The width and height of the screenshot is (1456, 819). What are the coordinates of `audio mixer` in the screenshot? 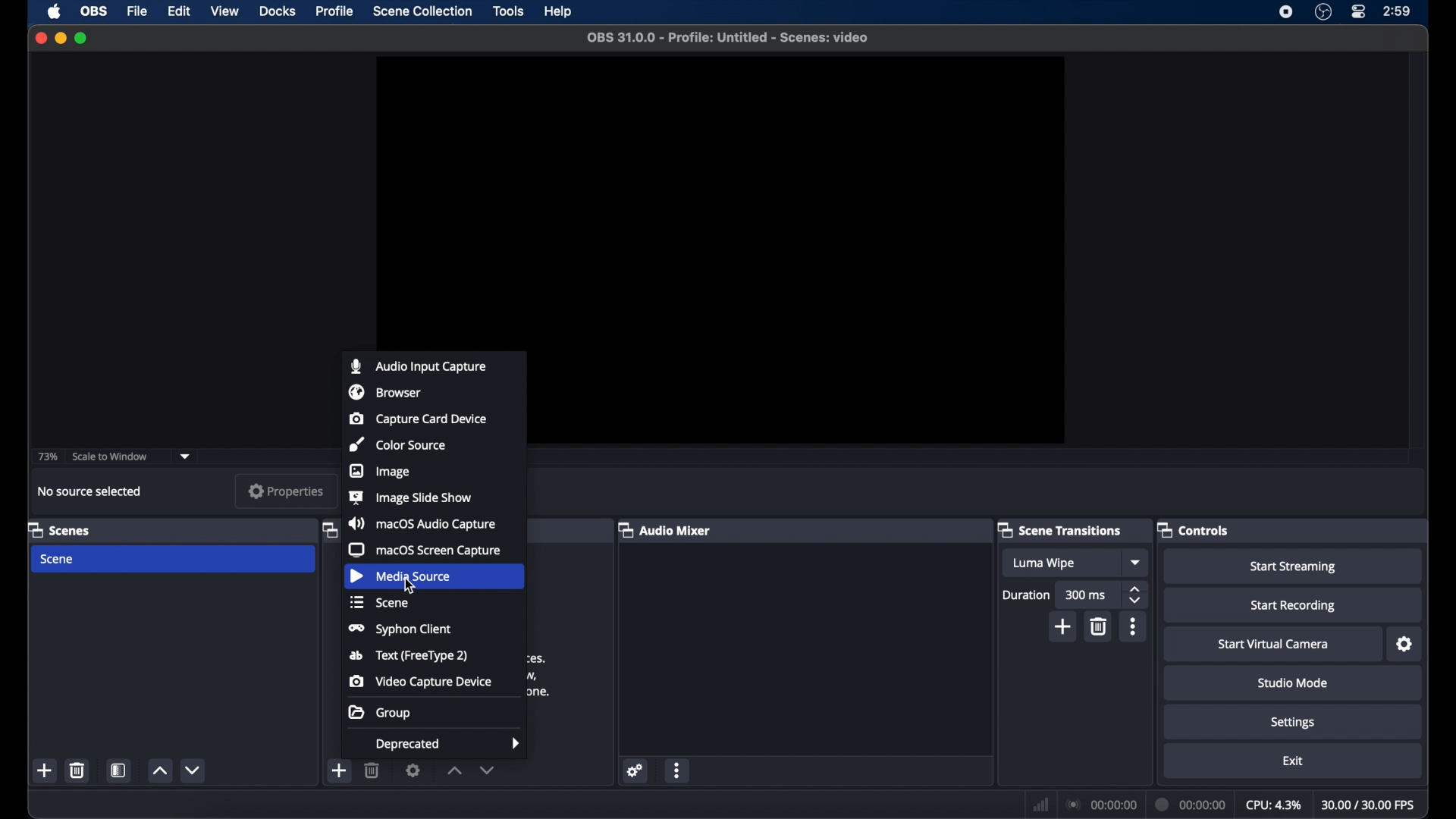 It's located at (665, 529).